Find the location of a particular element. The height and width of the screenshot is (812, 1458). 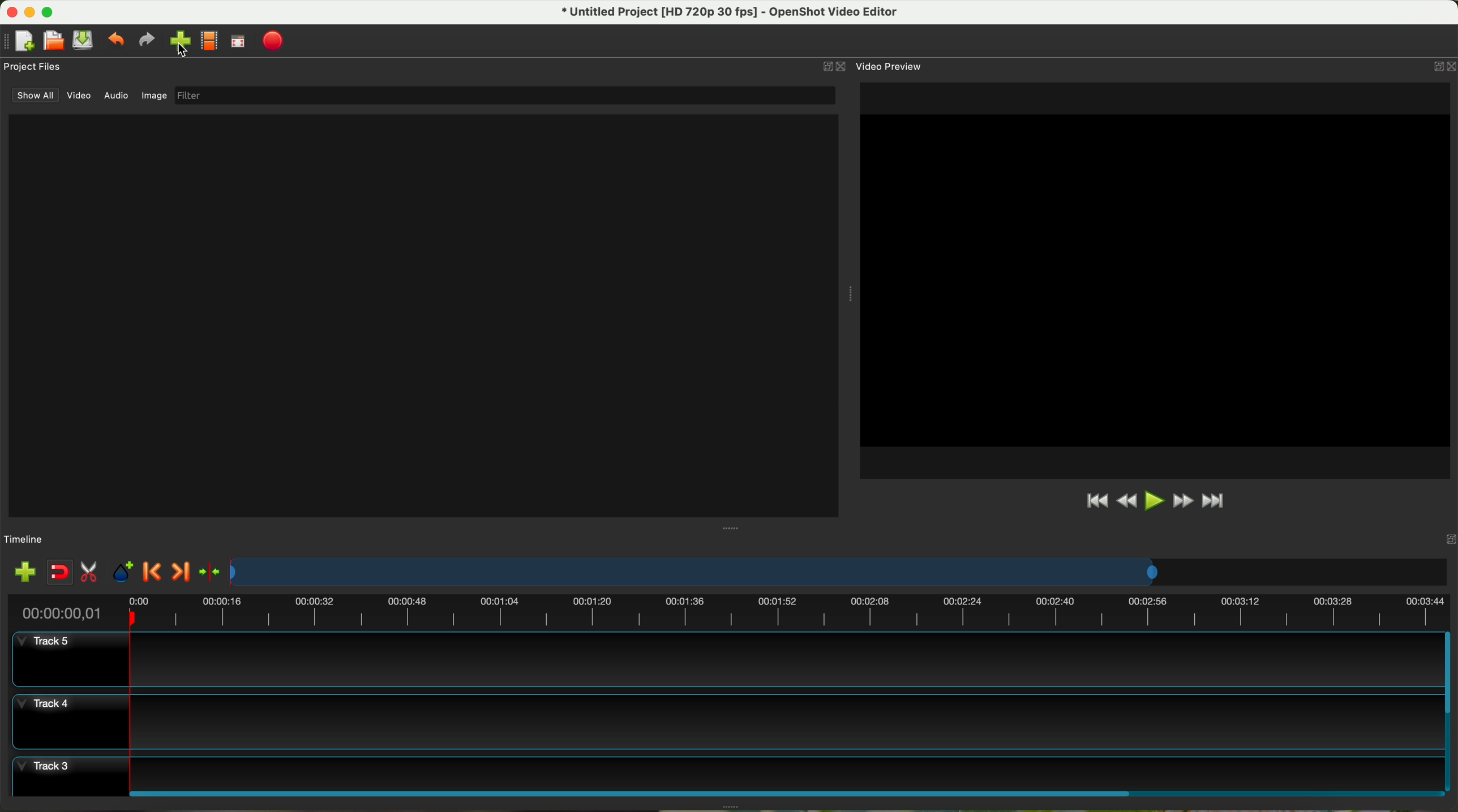

rewind is located at coordinates (1128, 501).